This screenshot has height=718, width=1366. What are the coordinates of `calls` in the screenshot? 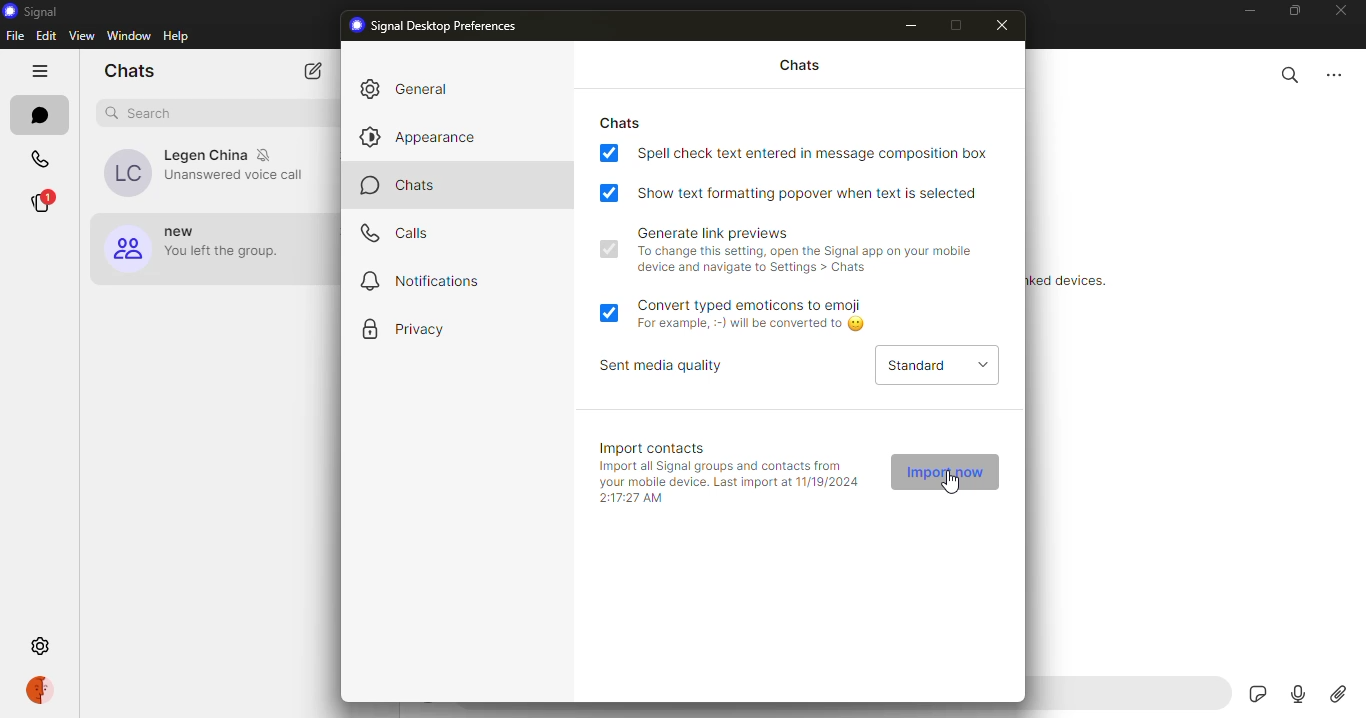 It's located at (40, 160).